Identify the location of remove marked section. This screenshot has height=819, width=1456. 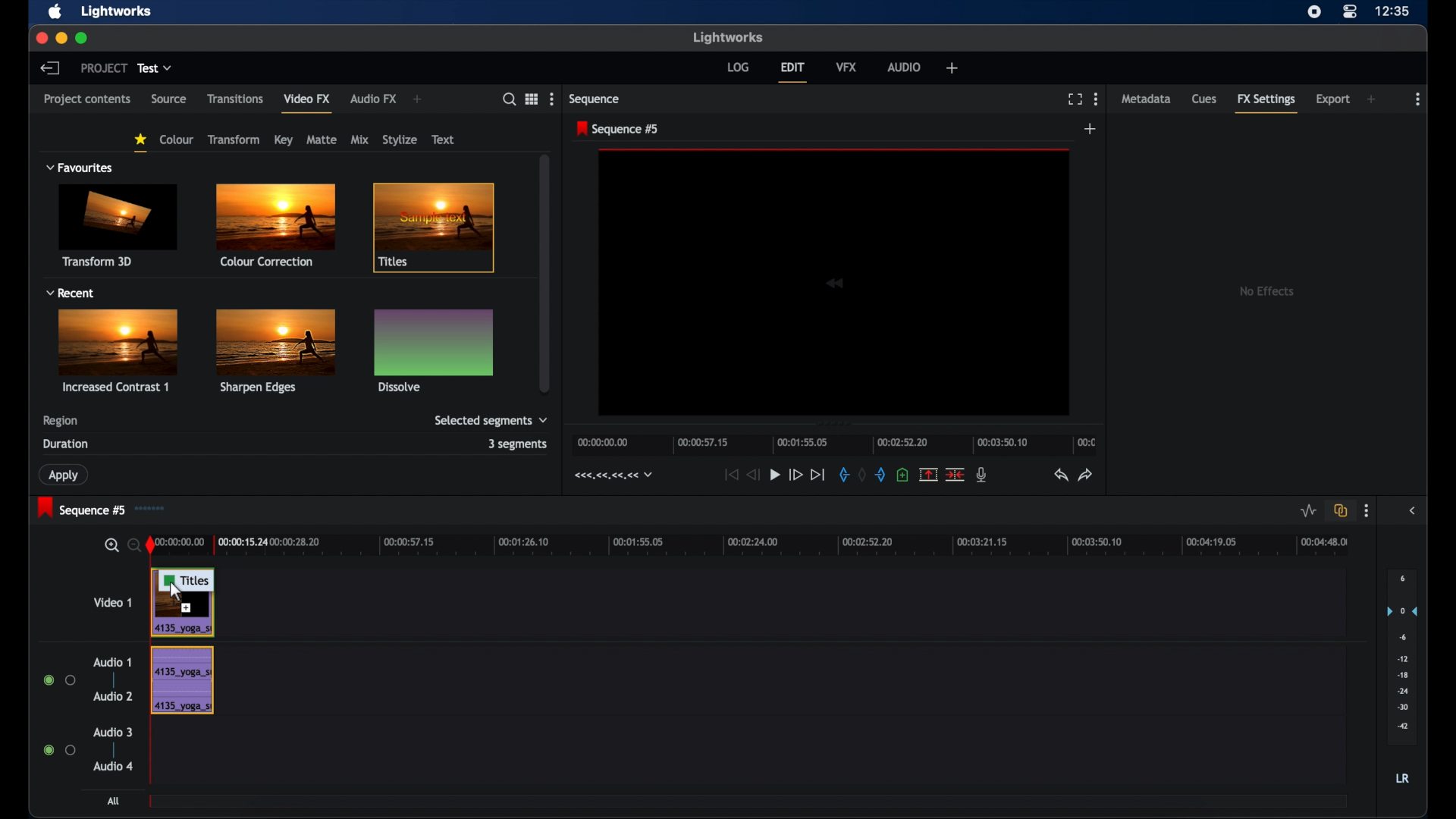
(929, 473).